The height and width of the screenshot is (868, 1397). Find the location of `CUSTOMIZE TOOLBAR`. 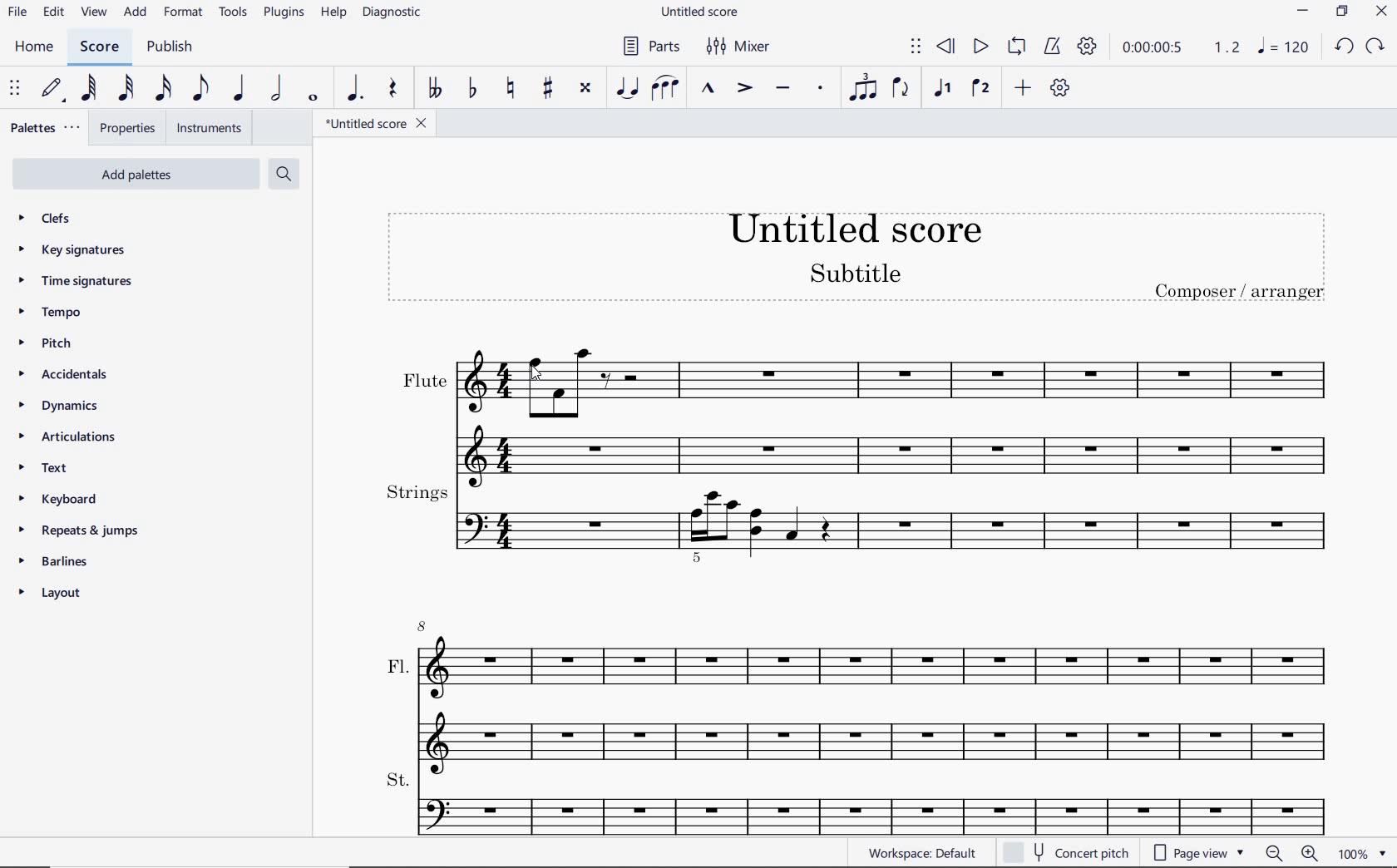

CUSTOMIZE TOOLBAR is located at coordinates (1063, 88).